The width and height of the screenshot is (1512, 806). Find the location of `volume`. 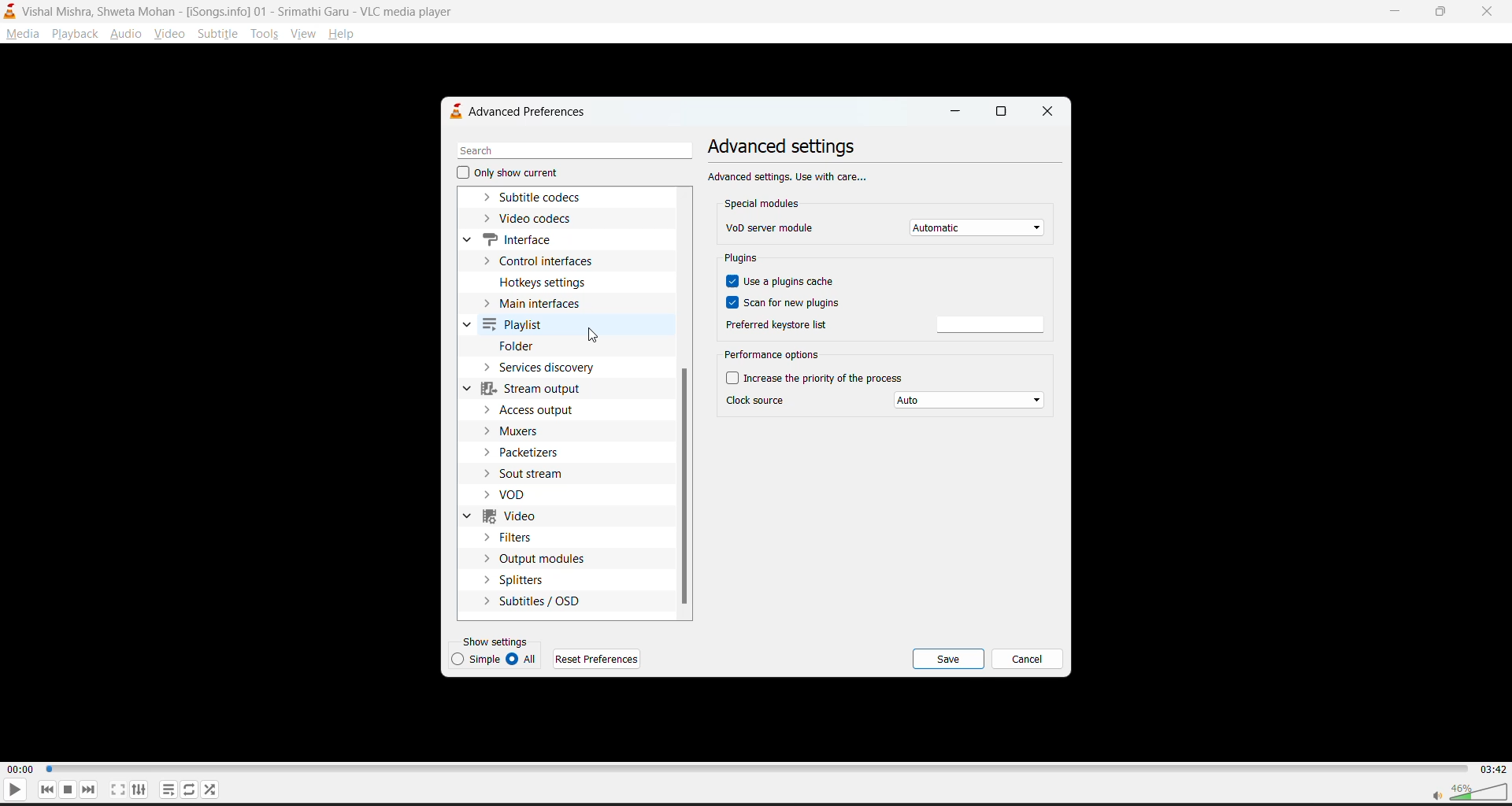

volume is located at coordinates (1462, 790).